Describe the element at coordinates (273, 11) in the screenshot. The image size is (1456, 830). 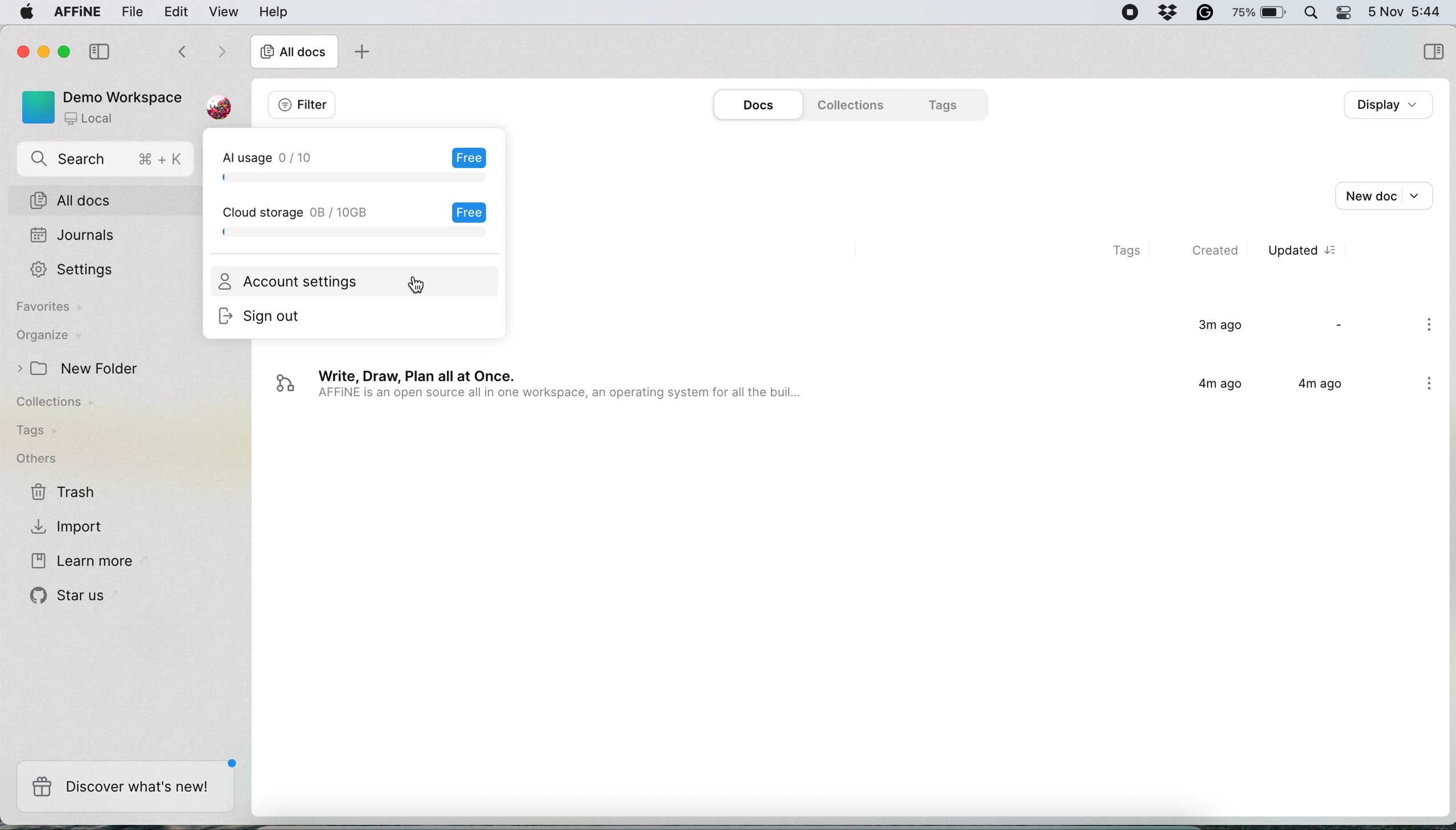
I see `help` at that location.